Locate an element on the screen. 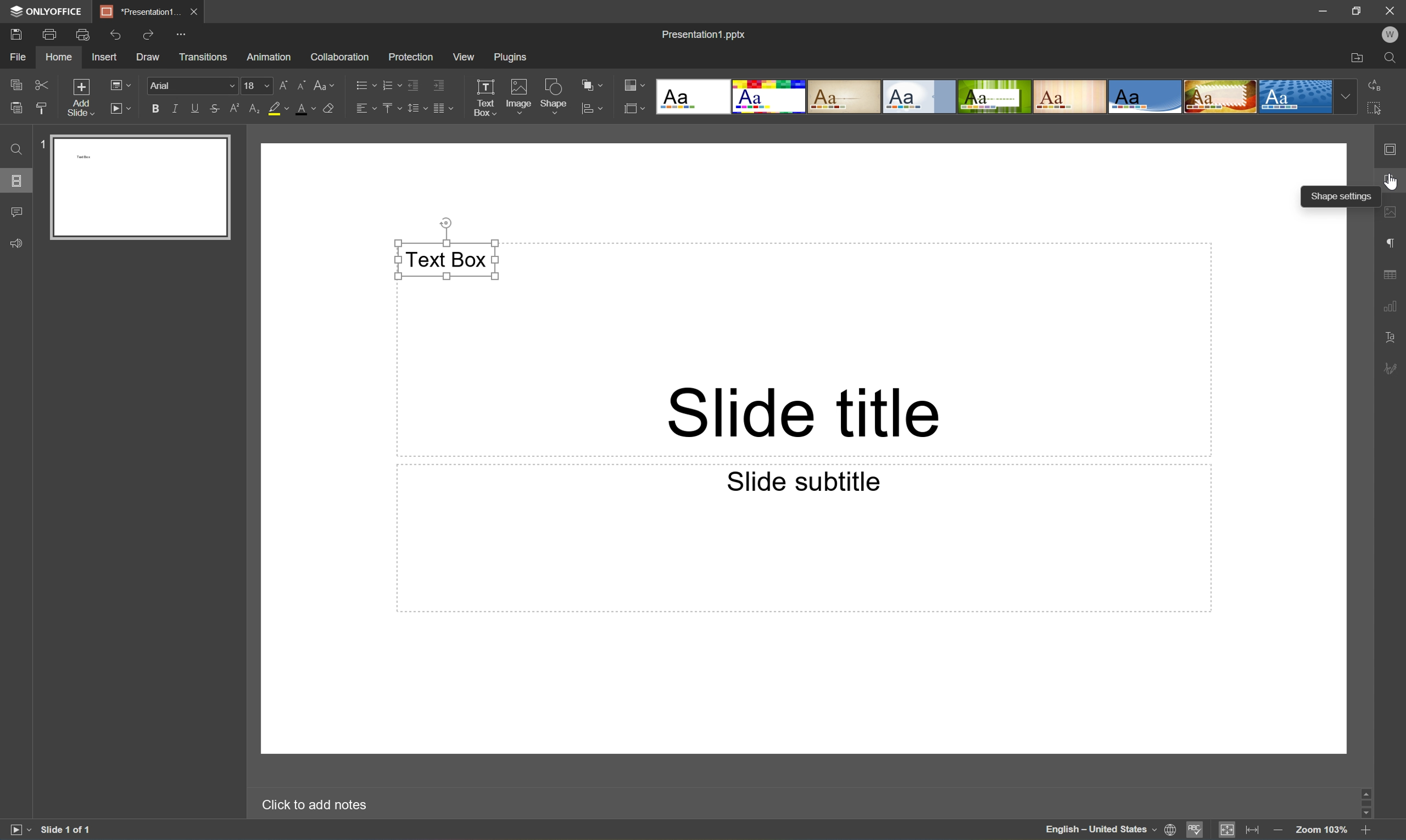  Scroll Up is located at coordinates (1370, 791).